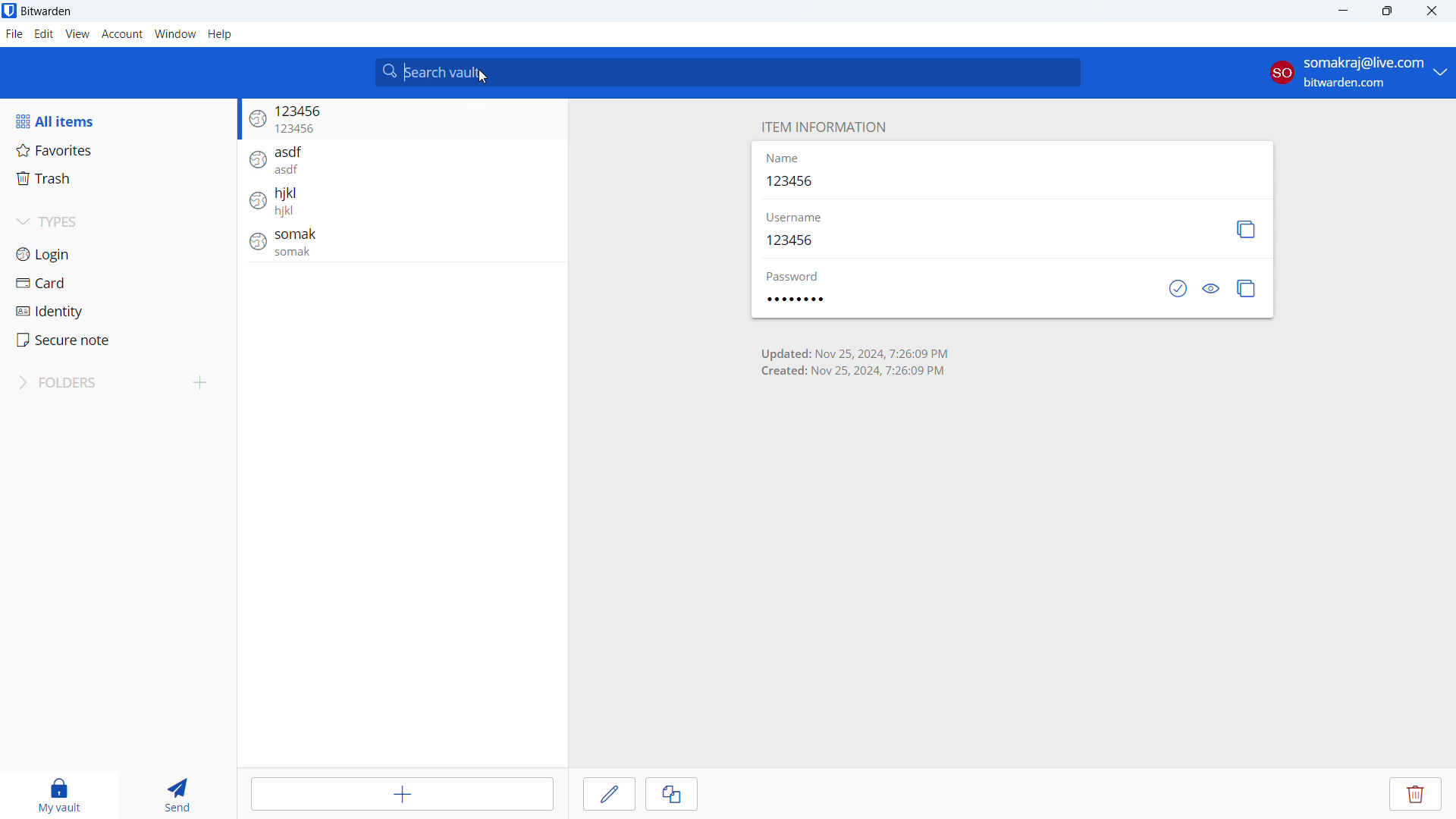 This screenshot has height=819, width=1456. Describe the element at coordinates (117, 310) in the screenshot. I see `identity` at that location.